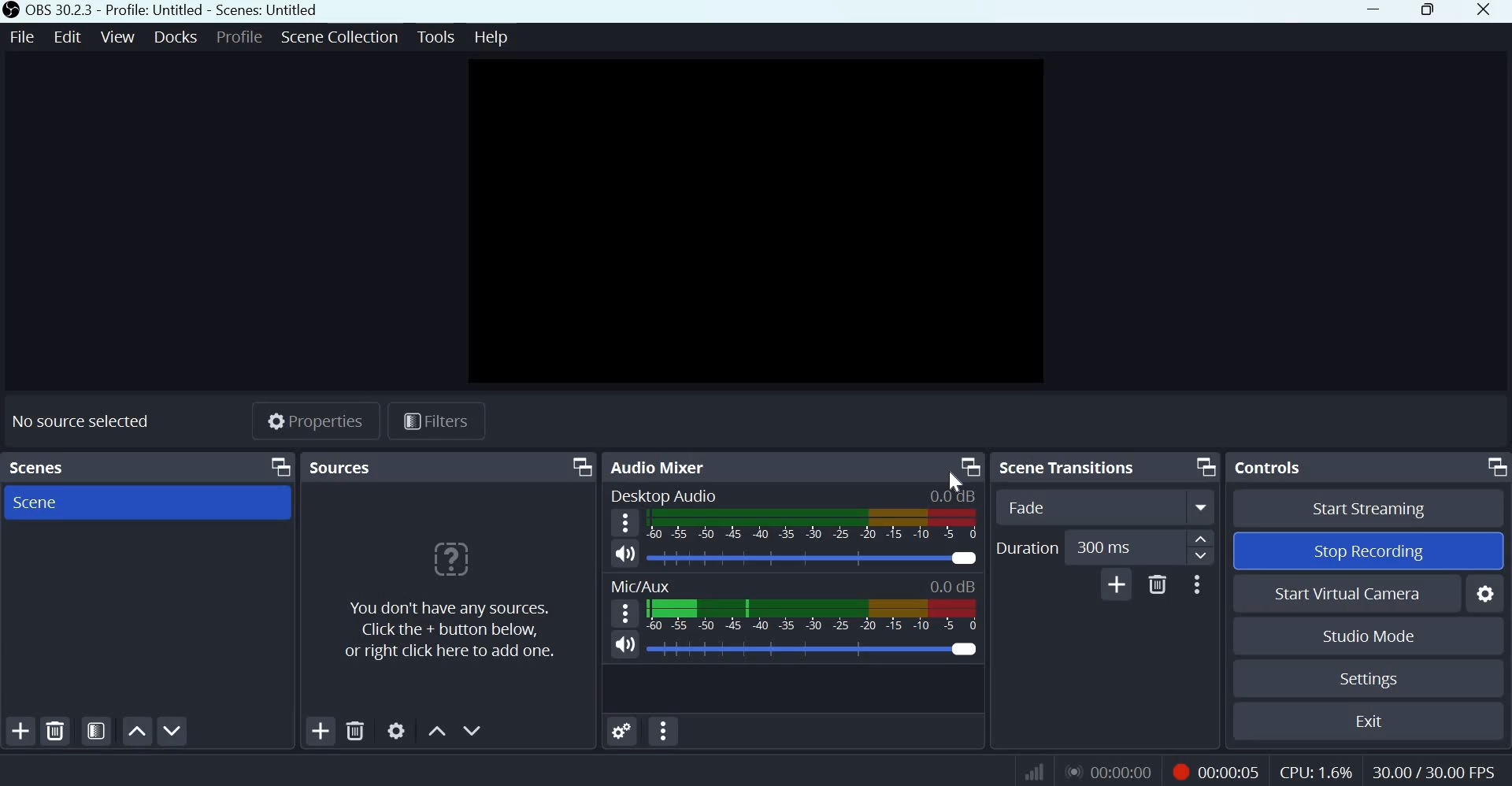 The width and height of the screenshot is (1512, 786). Describe the element at coordinates (947, 587) in the screenshot. I see `Audio Level Indicator` at that location.